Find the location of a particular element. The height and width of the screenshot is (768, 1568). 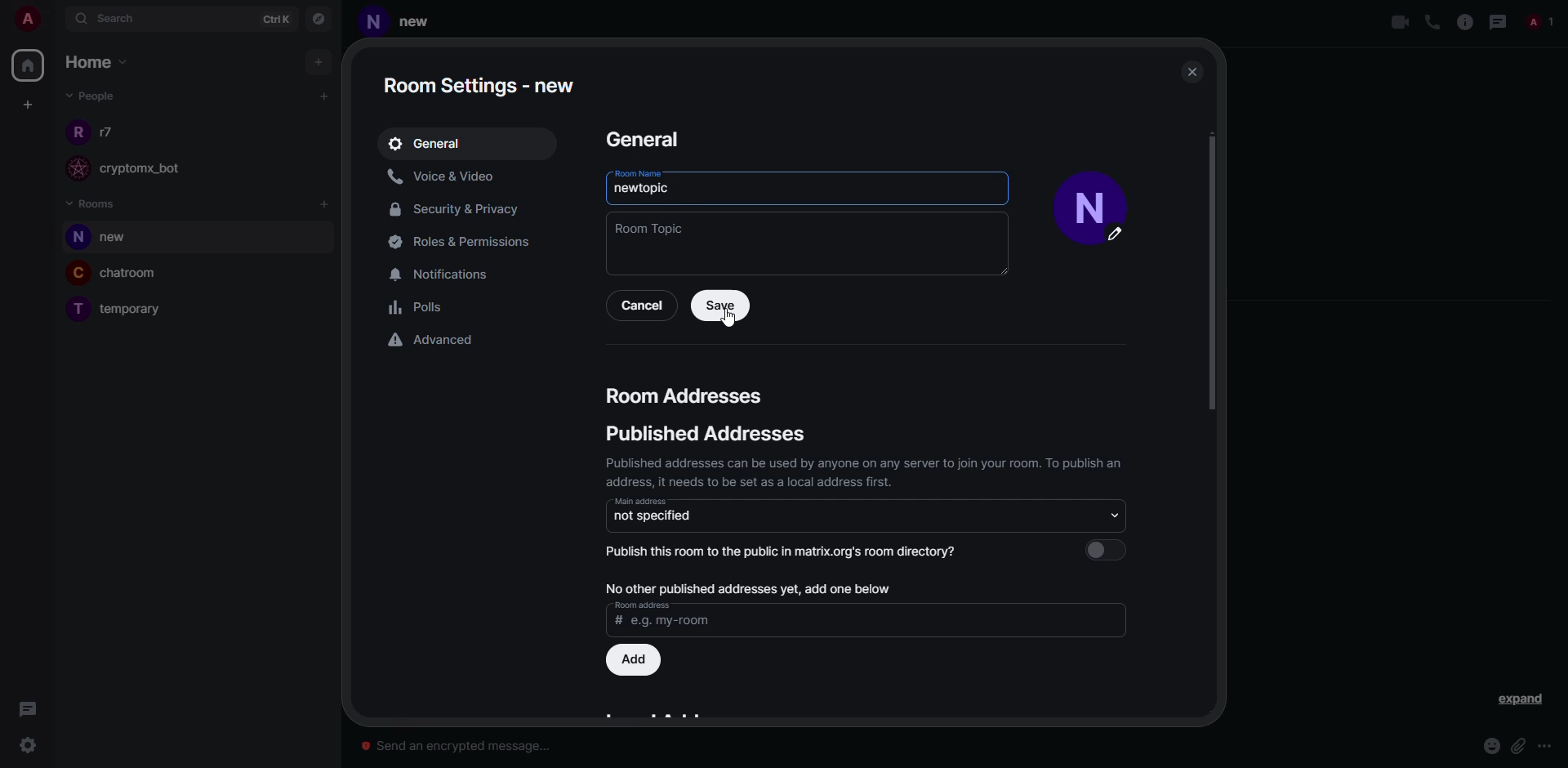

profile image is located at coordinates (76, 131).